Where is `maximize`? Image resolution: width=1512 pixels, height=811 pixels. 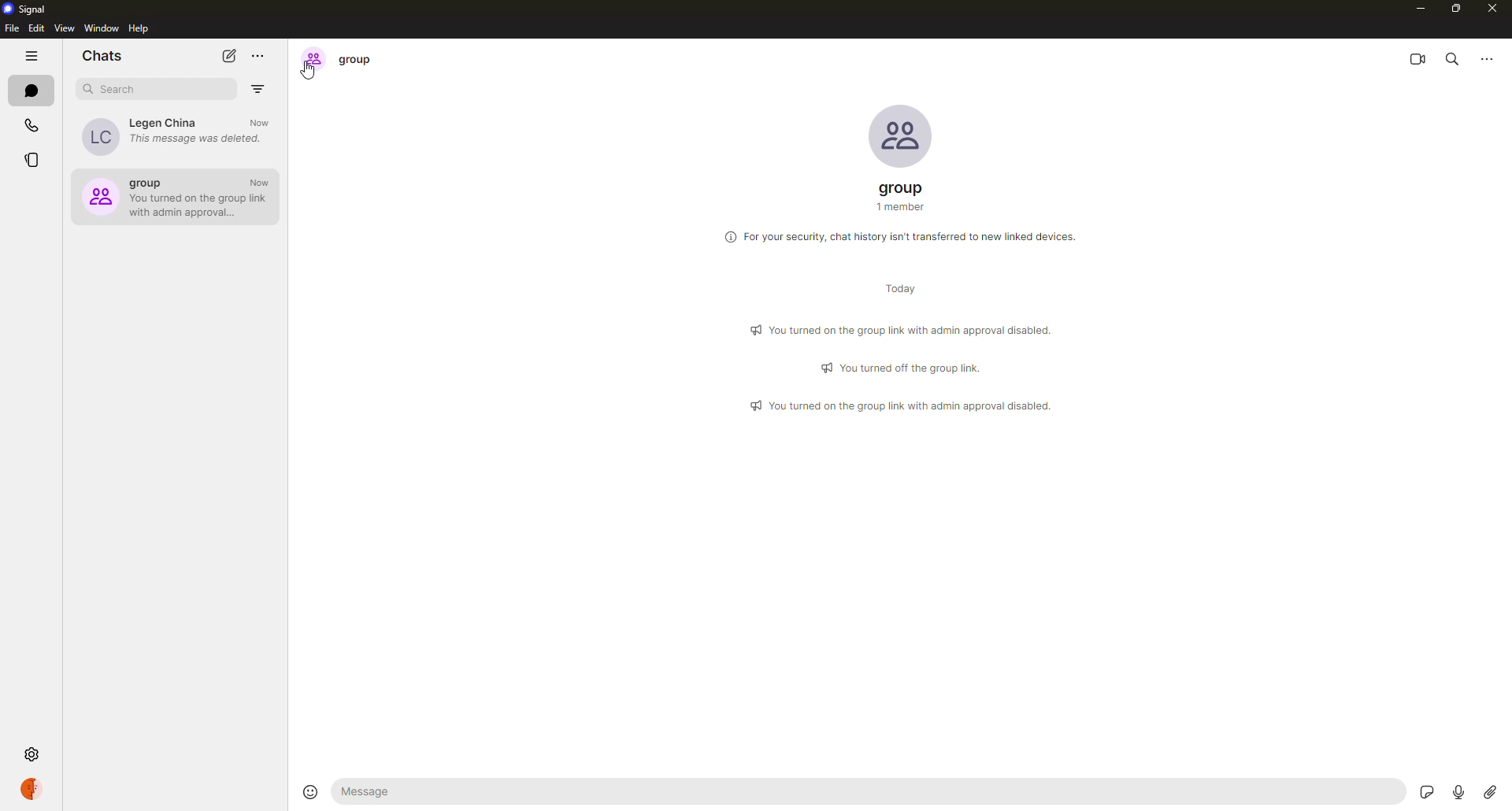
maximize is located at coordinates (1457, 9).